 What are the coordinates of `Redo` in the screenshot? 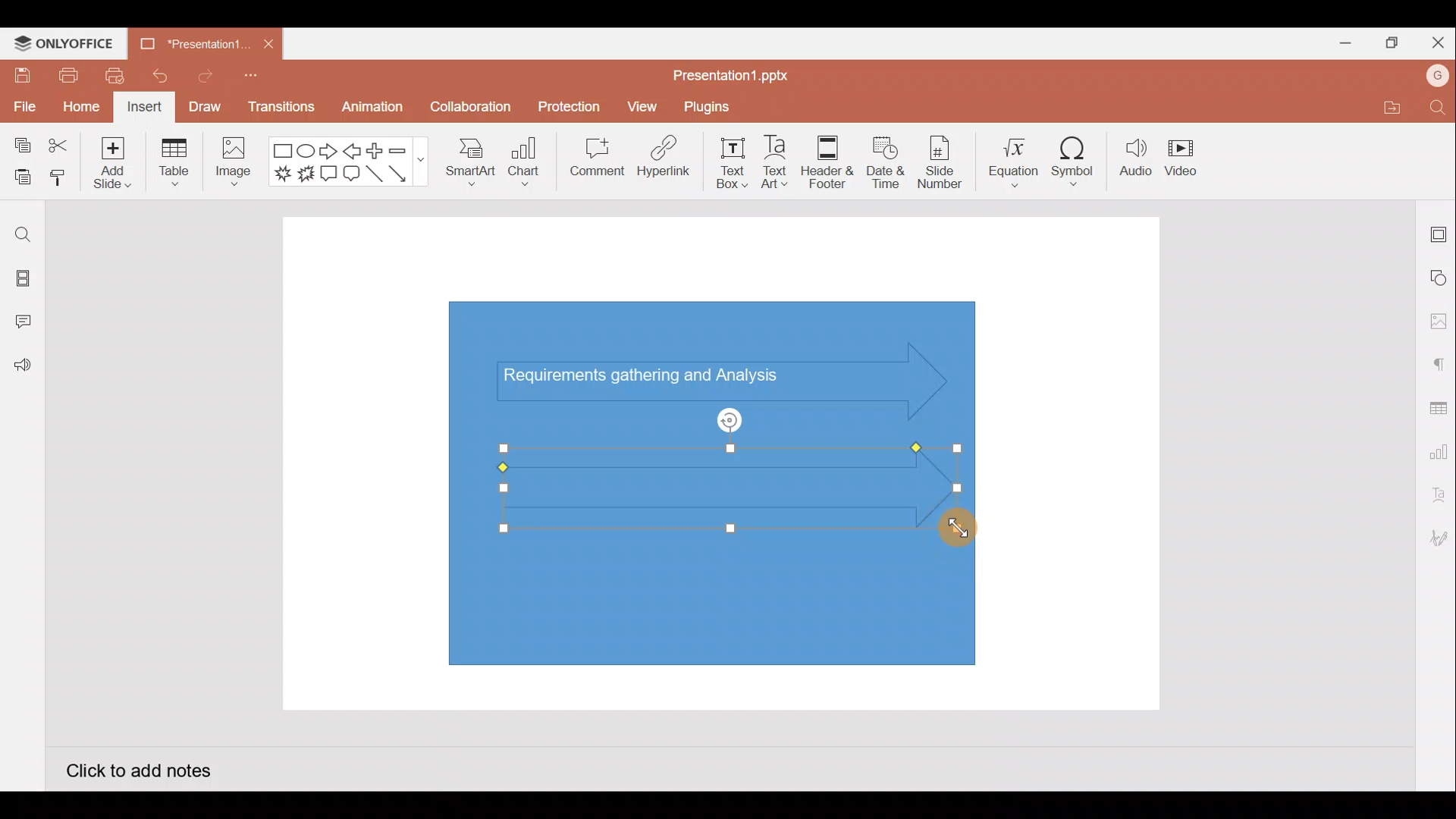 It's located at (199, 75).